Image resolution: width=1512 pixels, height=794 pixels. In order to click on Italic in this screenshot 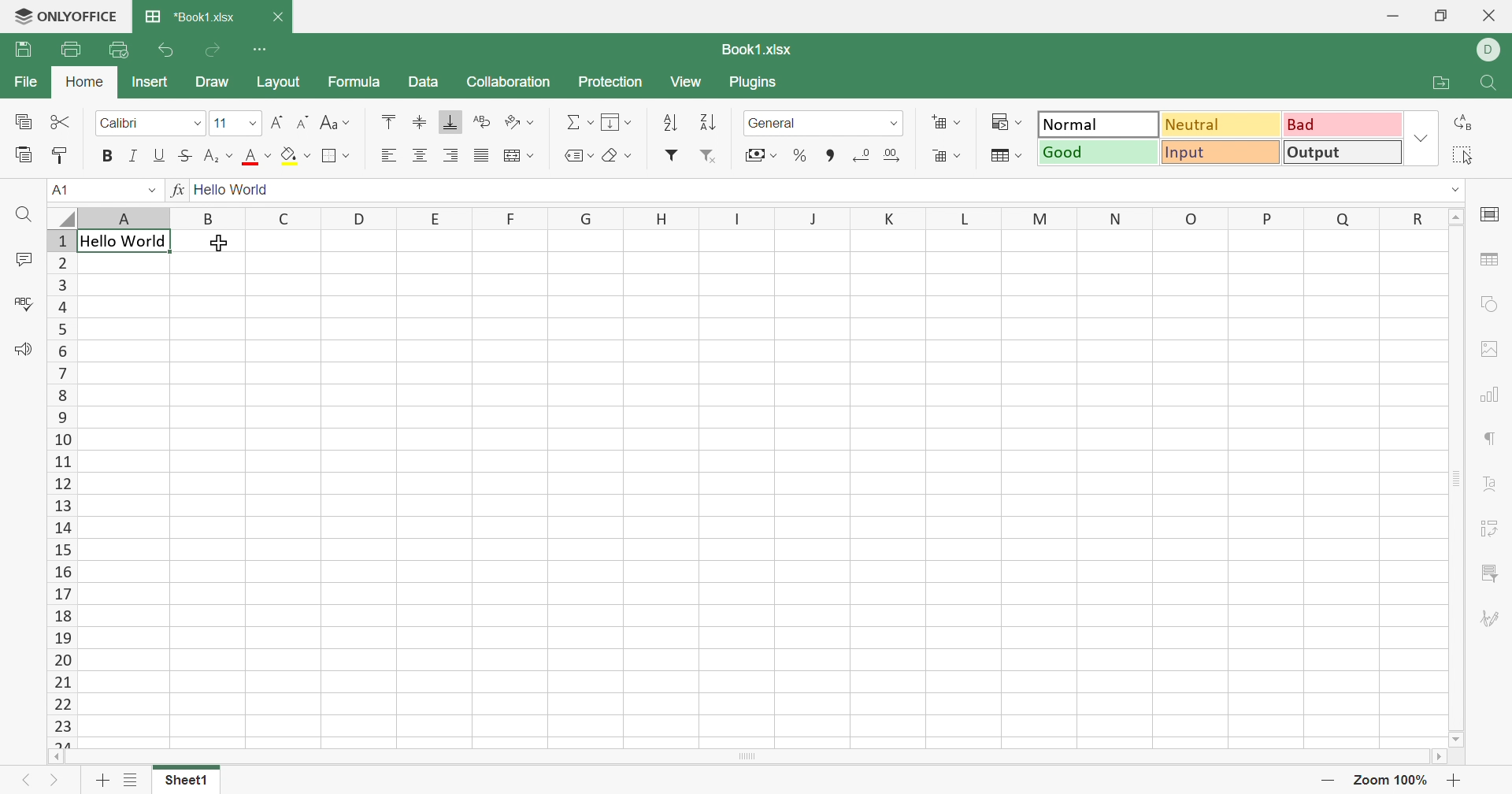, I will do `click(135, 158)`.